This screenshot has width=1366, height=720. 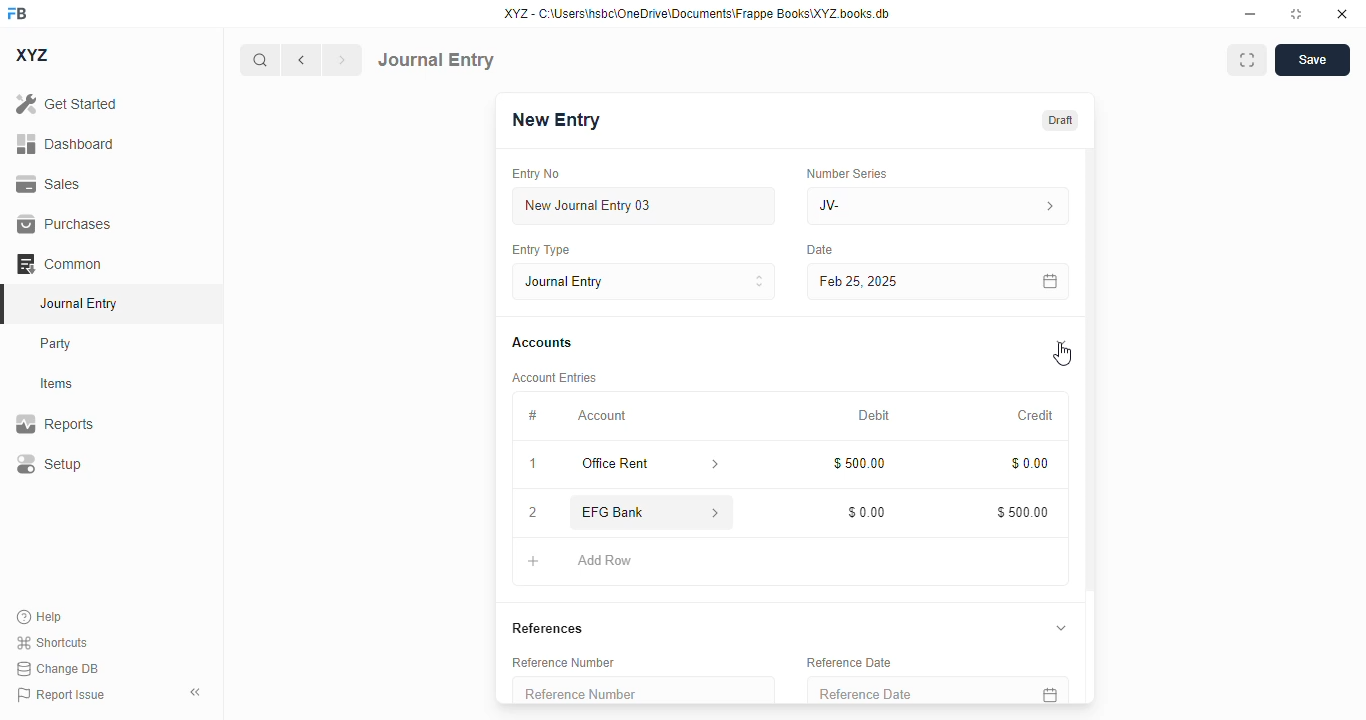 What do you see at coordinates (821, 250) in the screenshot?
I see `date` at bounding box center [821, 250].